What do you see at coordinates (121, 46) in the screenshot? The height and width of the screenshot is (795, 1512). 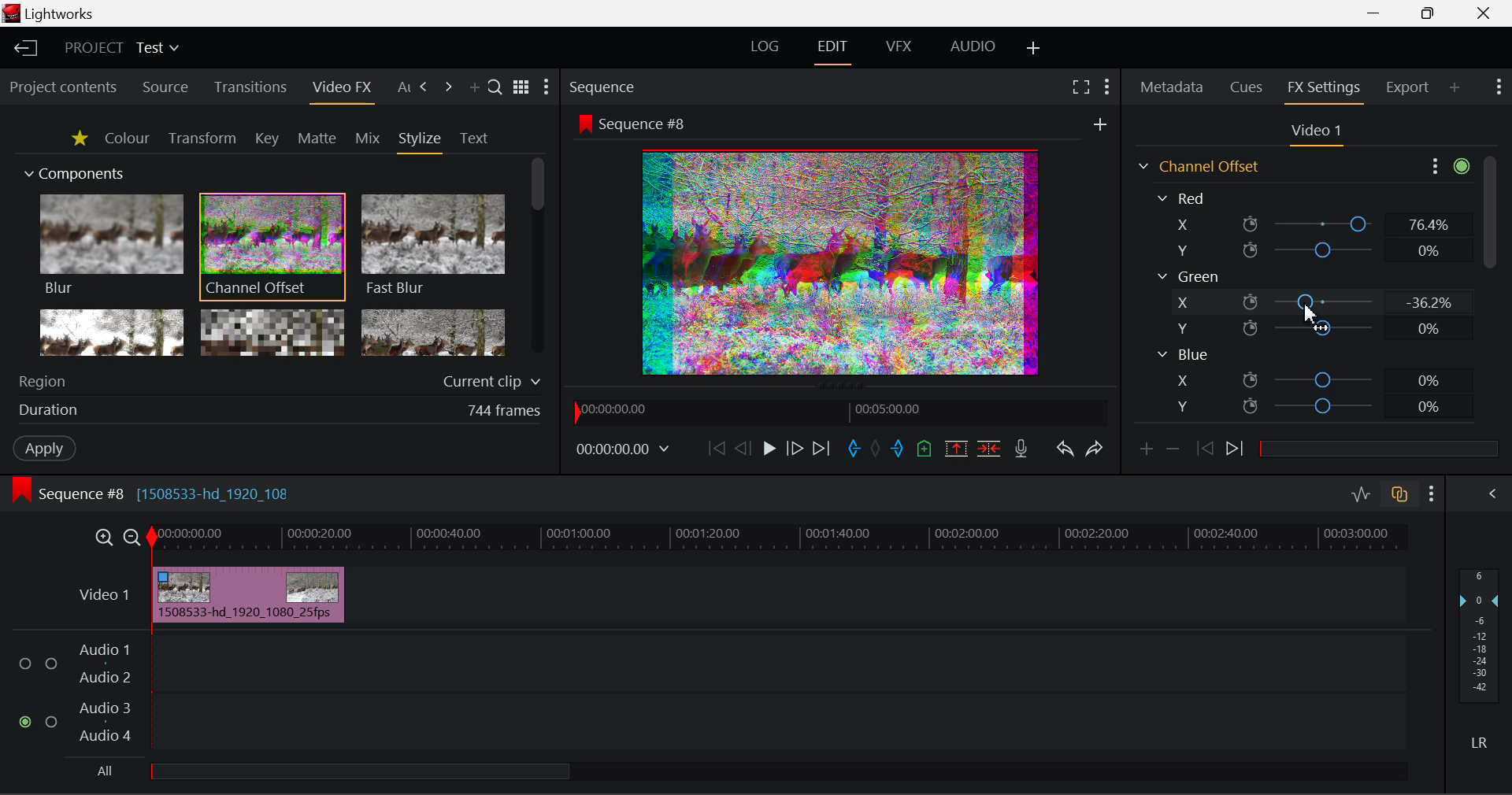 I see `Project Title` at bounding box center [121, 46].